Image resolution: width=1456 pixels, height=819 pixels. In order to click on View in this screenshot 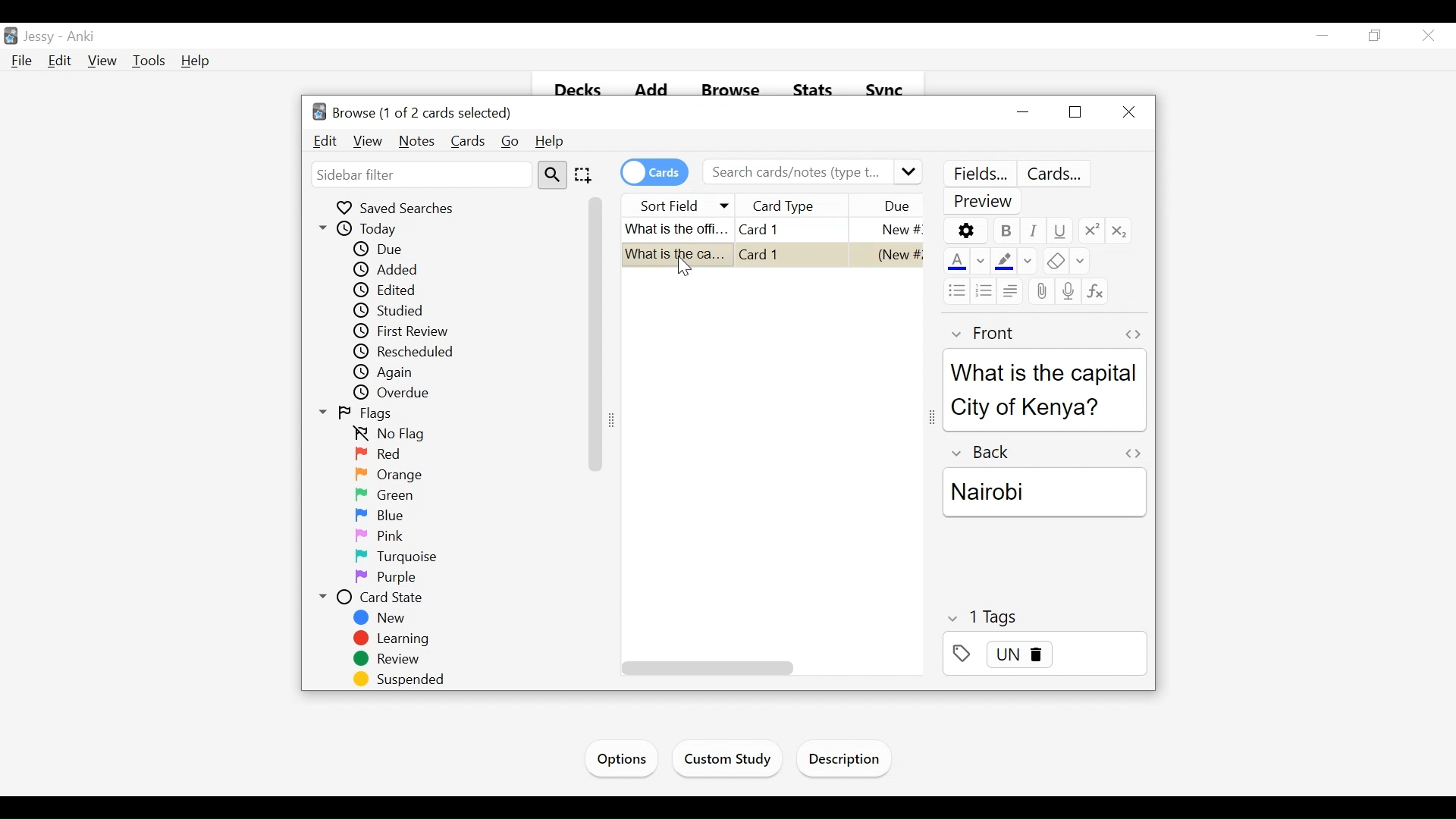, I will do `click(103, 61)`.